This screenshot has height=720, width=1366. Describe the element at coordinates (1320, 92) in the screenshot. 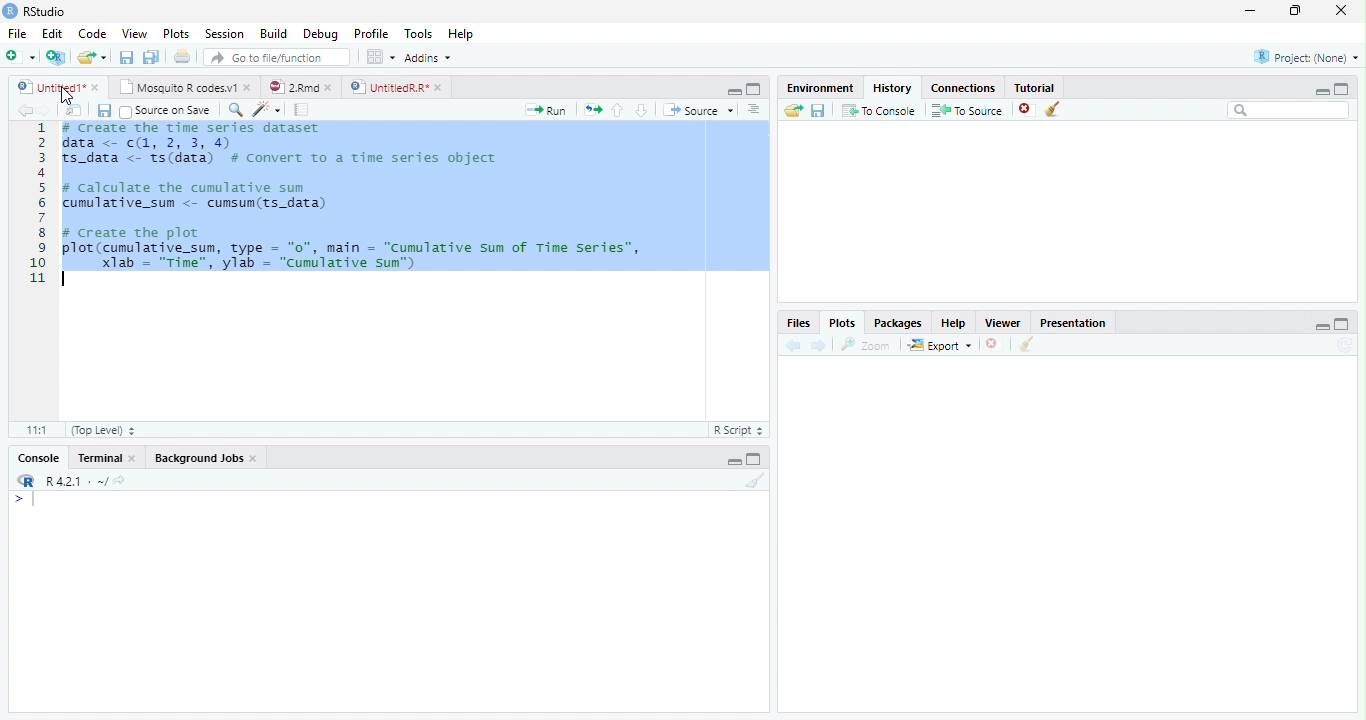

I see `Minimize` at that location.